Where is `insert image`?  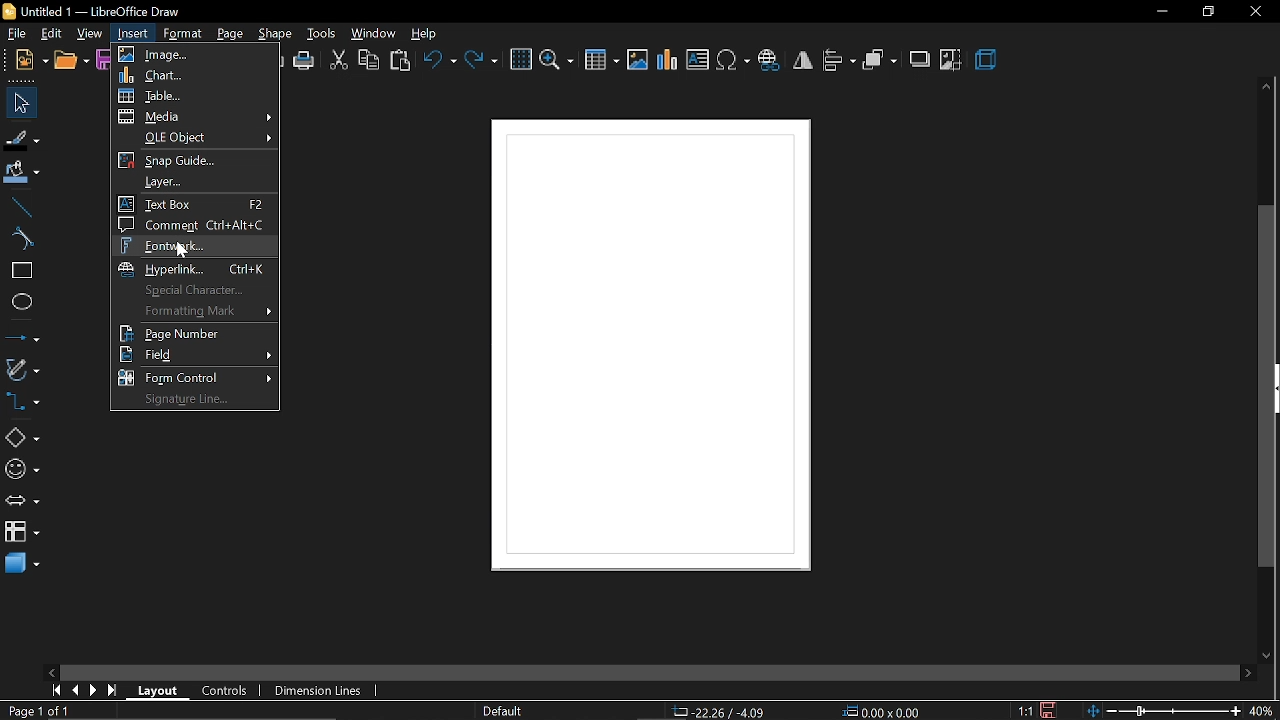
insert image is located at coordinates (638, 60).